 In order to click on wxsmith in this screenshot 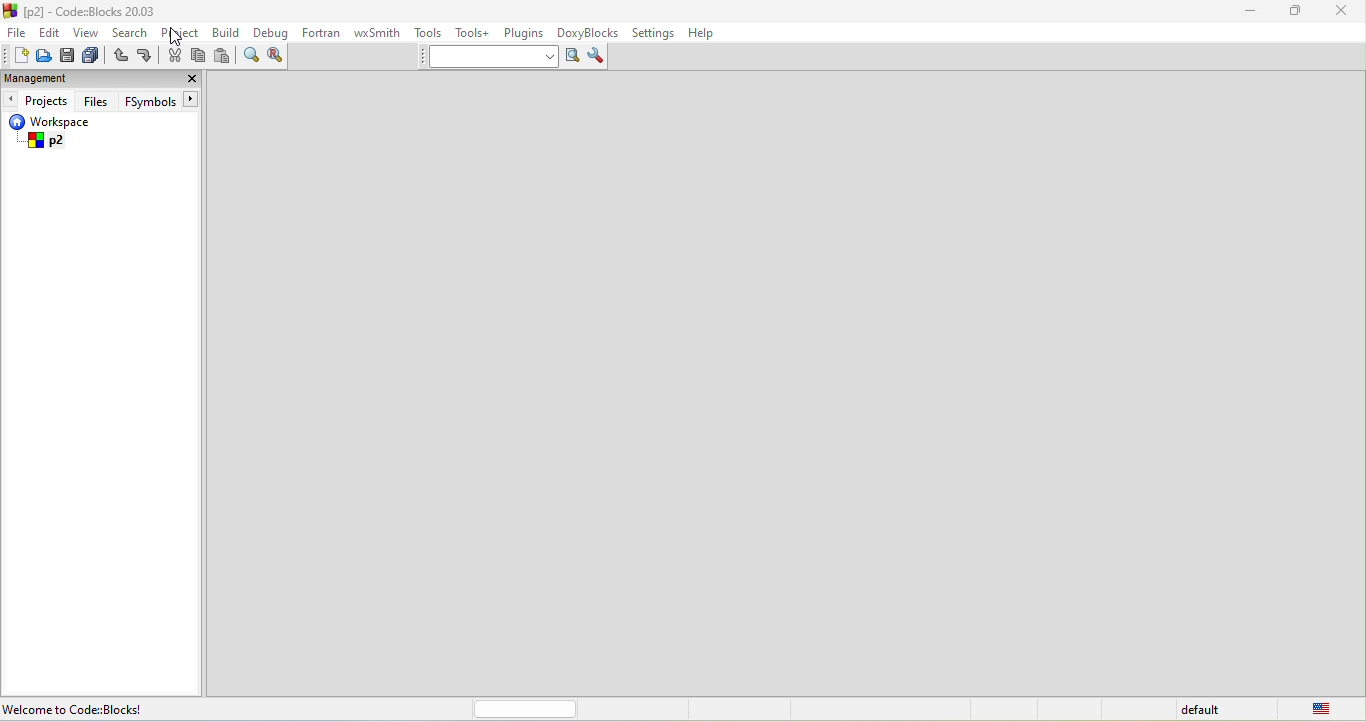, I will do `click(379, 32)`.